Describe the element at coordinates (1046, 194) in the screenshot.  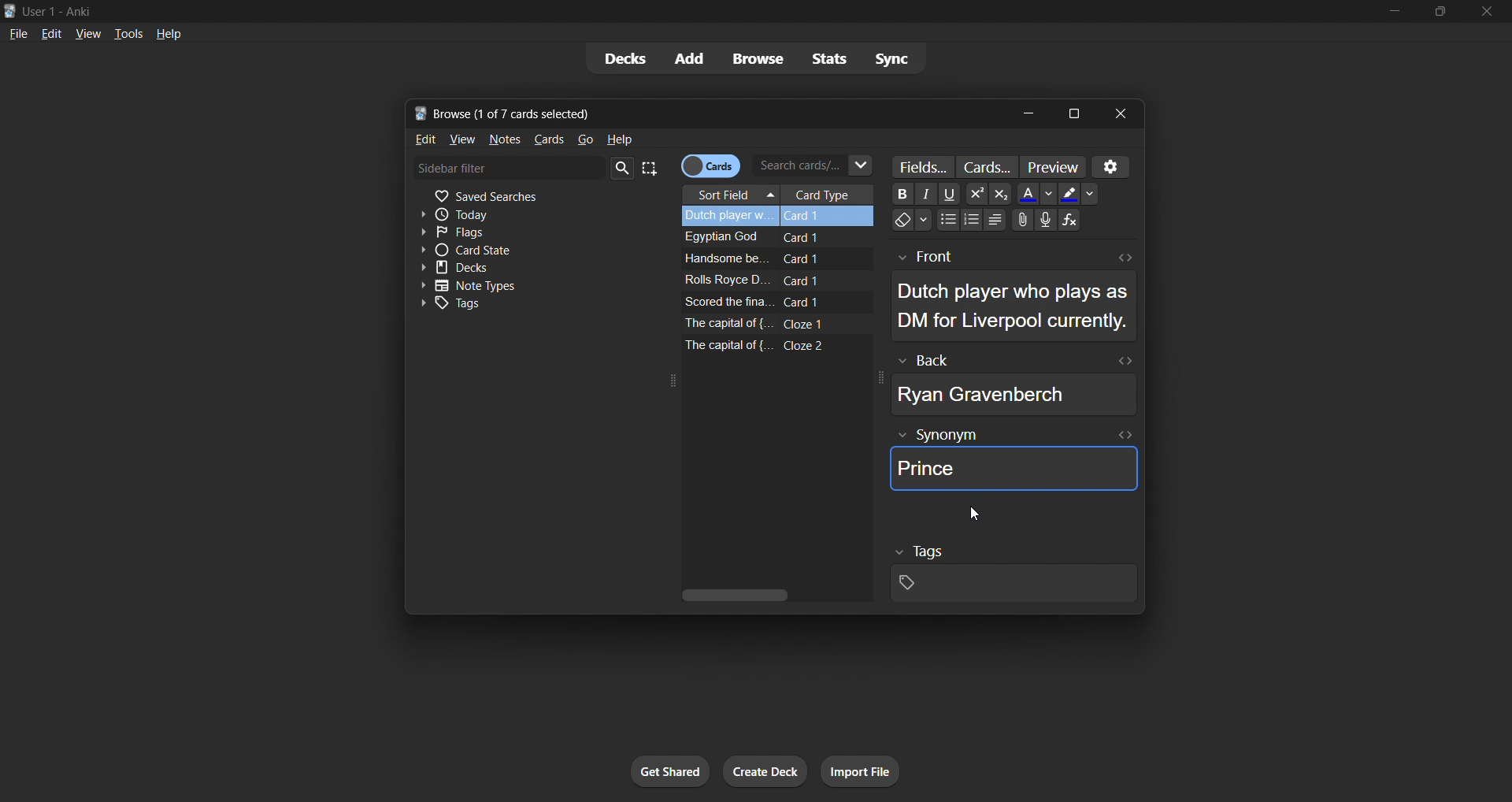
I see `Down -arrow` at that location.